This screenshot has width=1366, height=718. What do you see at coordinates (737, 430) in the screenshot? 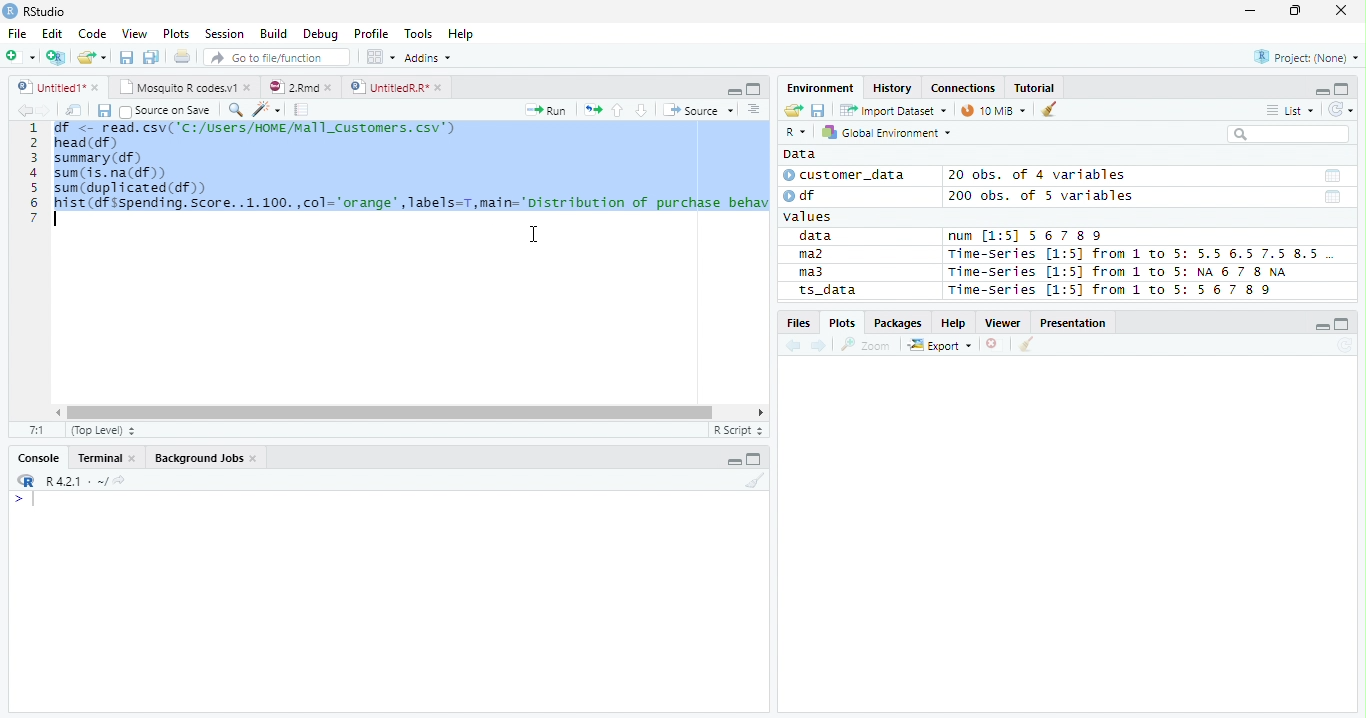
I see `R script` at bounding box center [737, 430].